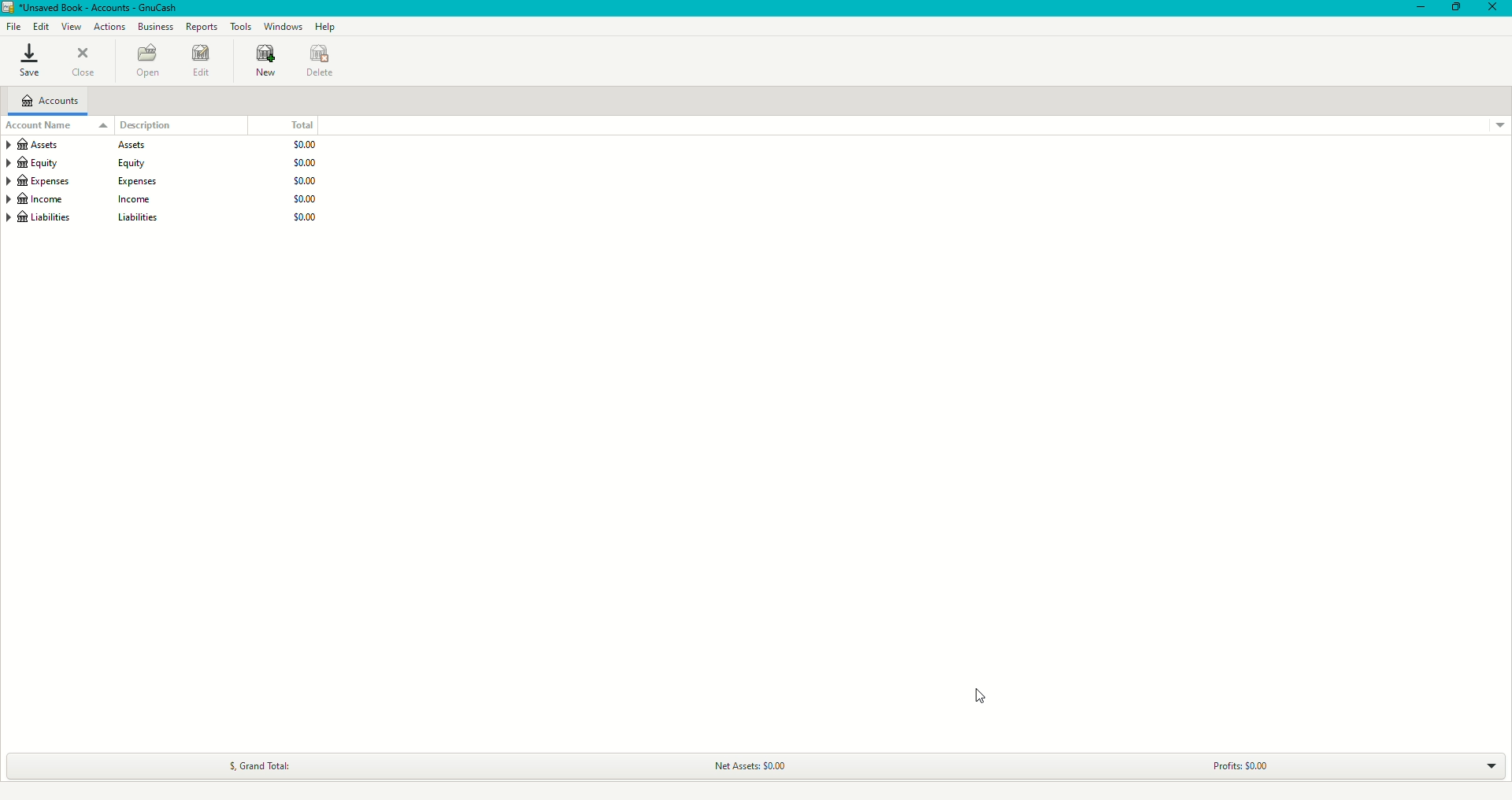 The width and height of the screenshot is (1512, 800). Describe the element at coordinates (202, 28) in the screenshot. I see `Reports` at that location.